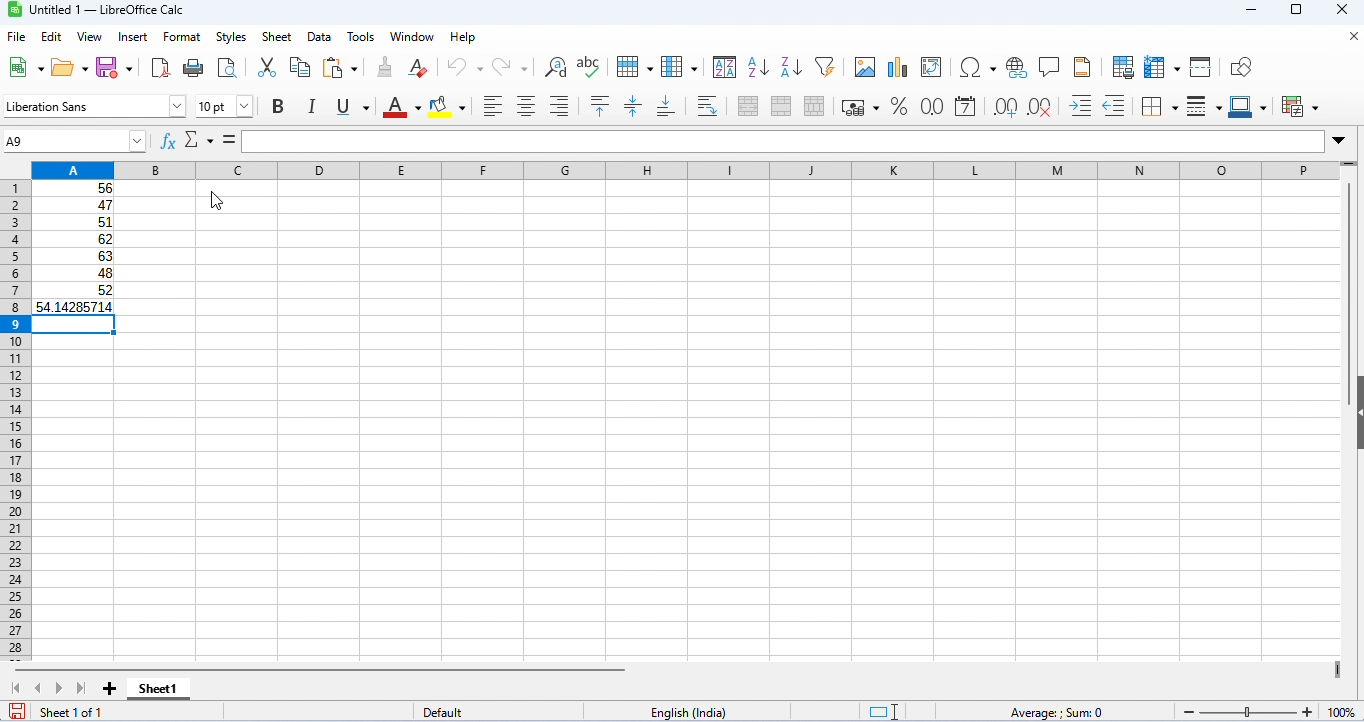  I want to click on new, so click(23, 67).